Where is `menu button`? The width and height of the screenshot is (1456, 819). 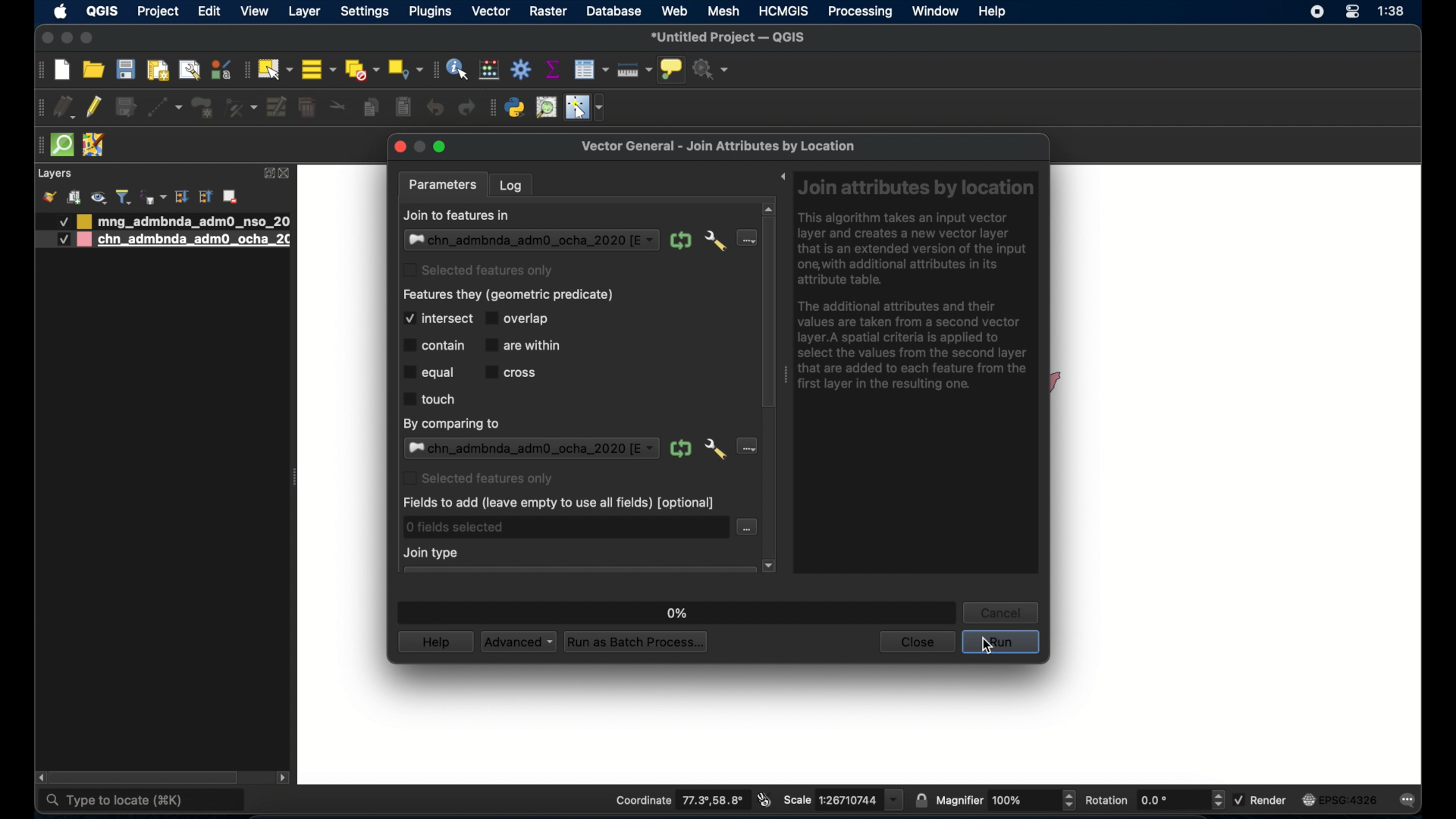
menu button is located at coordinates (747, 447).